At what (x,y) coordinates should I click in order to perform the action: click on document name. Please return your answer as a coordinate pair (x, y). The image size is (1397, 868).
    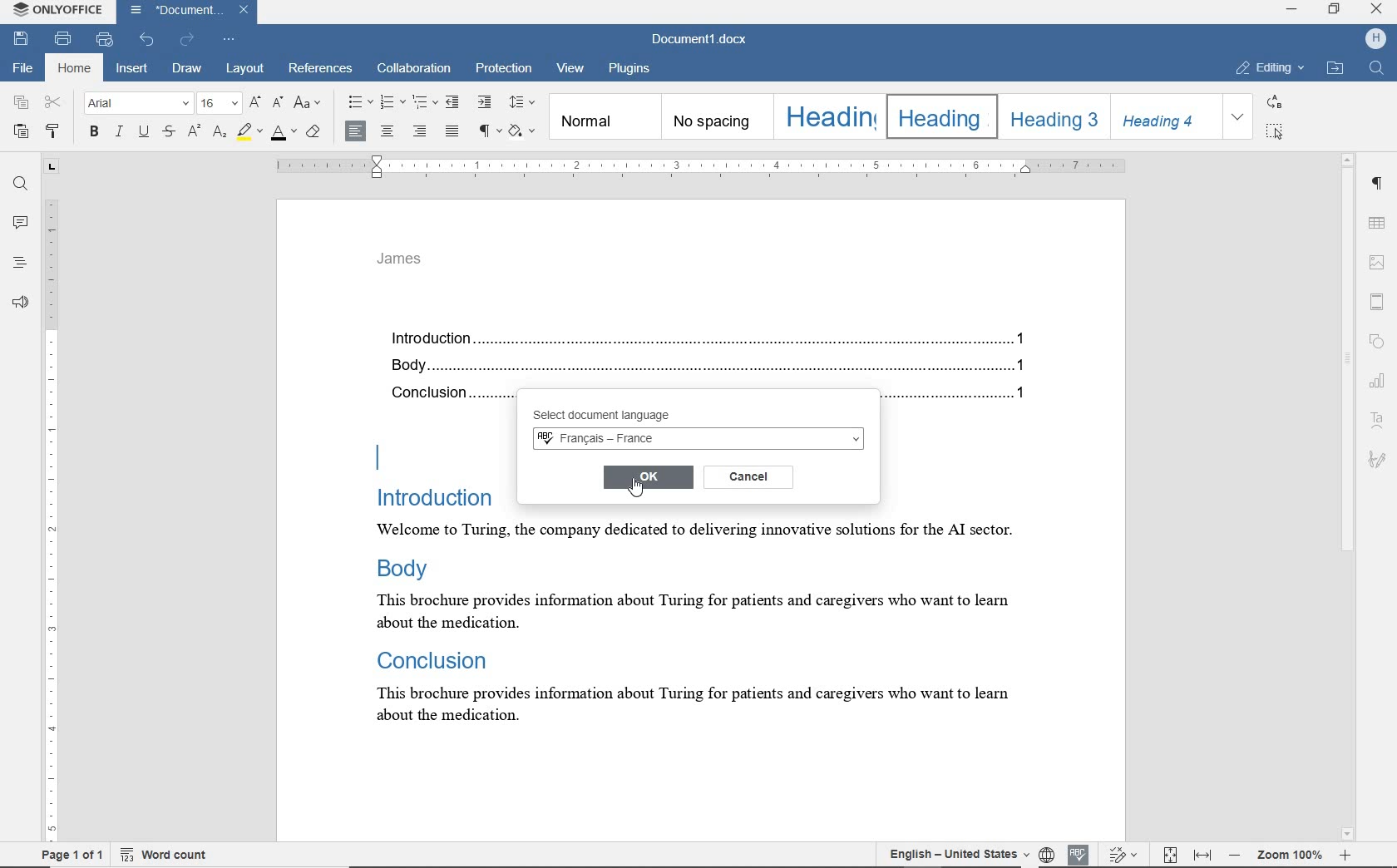
    Looking at the image, I should click on (703, 37).